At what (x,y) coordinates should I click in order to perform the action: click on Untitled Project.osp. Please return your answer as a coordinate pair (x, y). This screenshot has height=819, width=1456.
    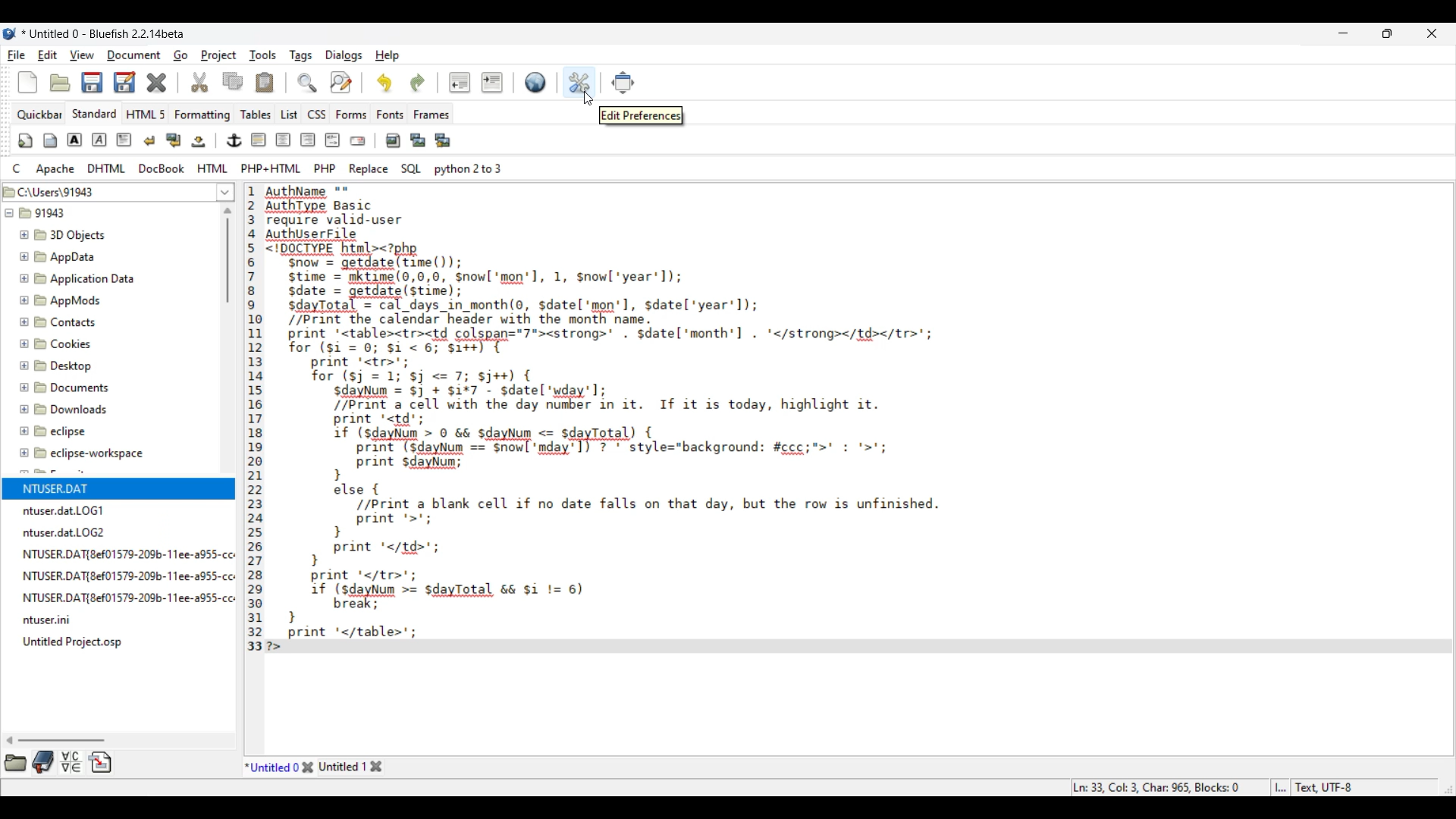
    Looking at the image, I should click on (76, 642).